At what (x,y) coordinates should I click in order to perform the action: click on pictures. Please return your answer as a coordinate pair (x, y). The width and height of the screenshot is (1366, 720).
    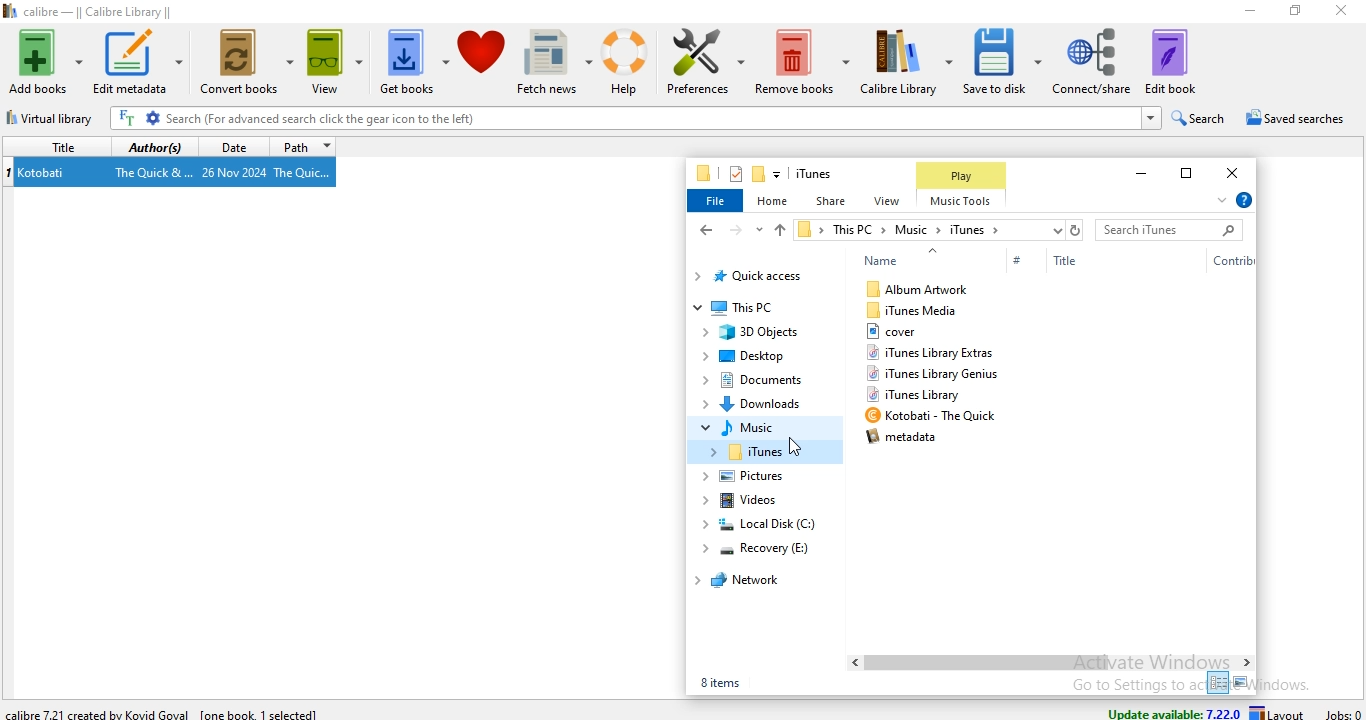
    Looking at the image, I should click on (748, 476).